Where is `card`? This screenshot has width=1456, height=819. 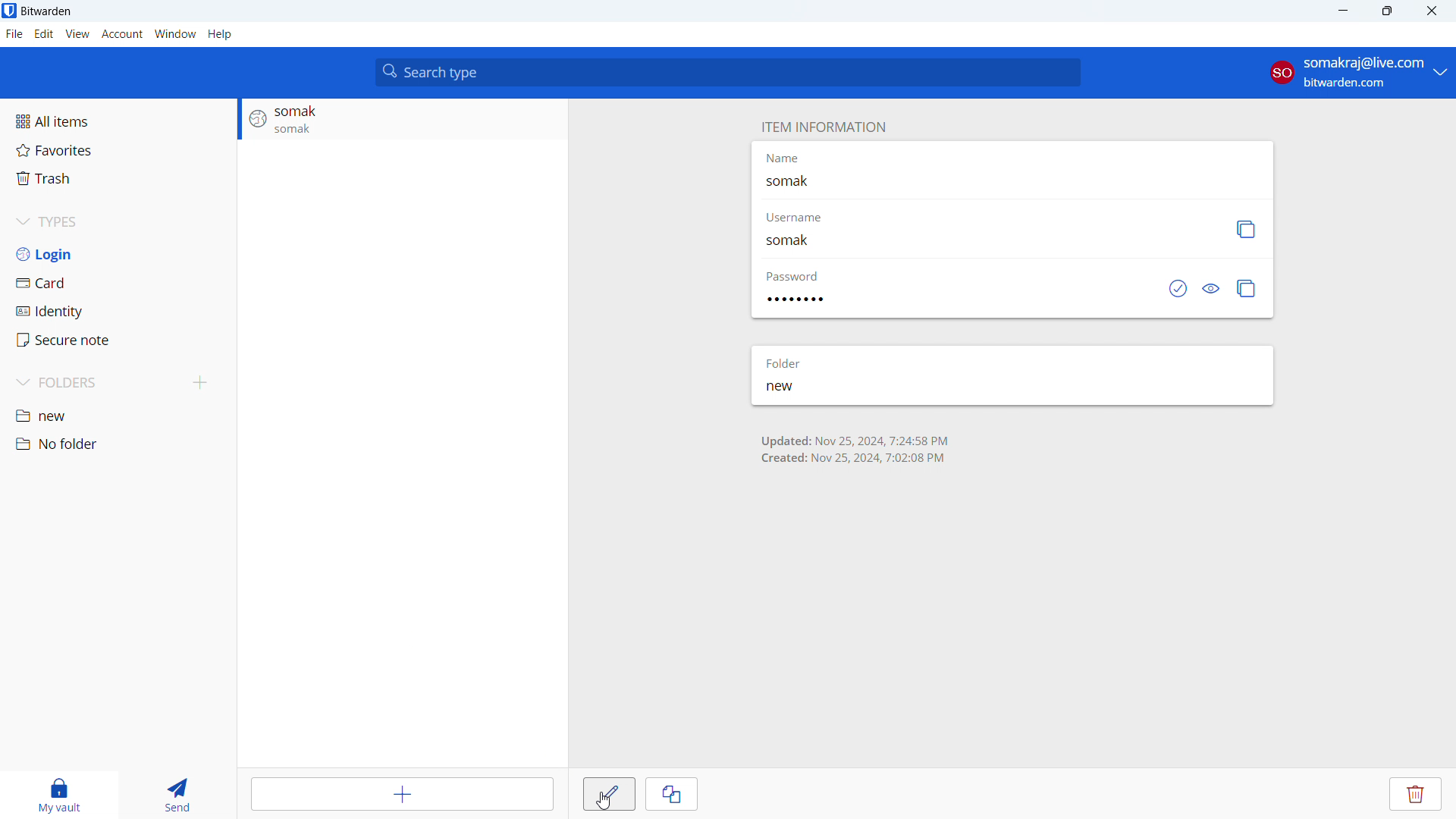 card is located at coordinates (118, 282).